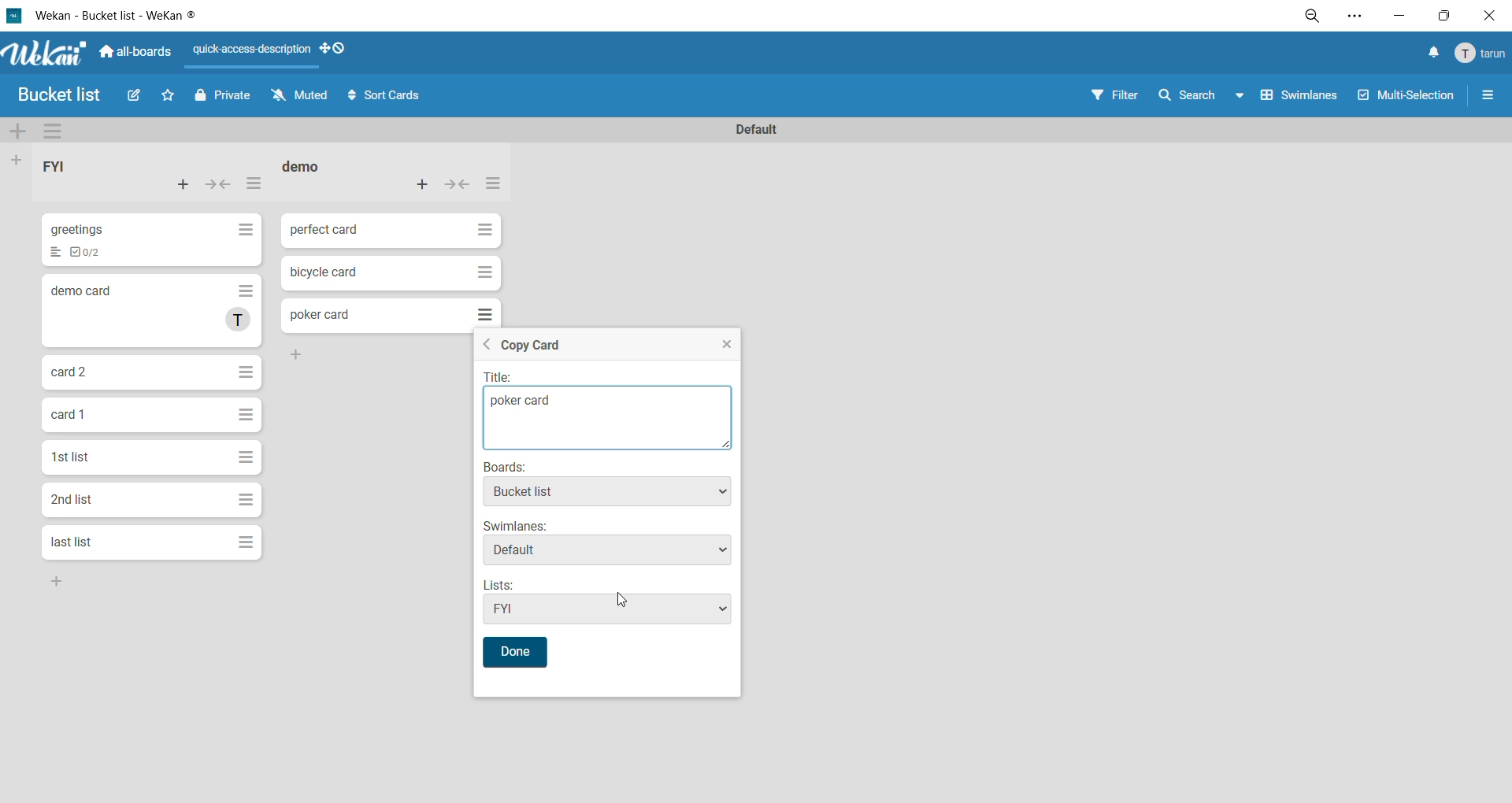 This screenshot has width=1512, height=803. I want to click on close, so click(1487, 16).